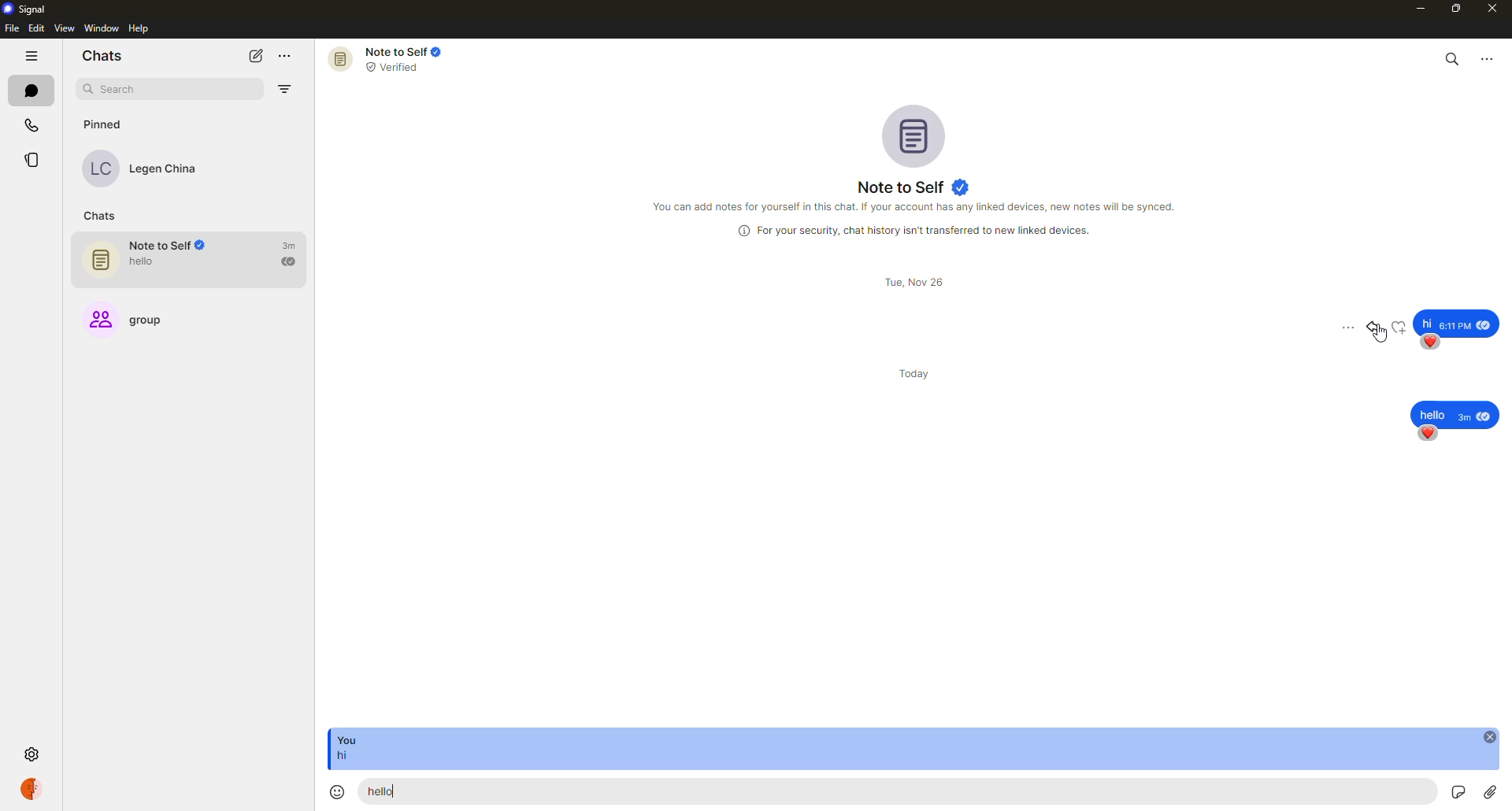  I want to click on group, so click(139, 320).